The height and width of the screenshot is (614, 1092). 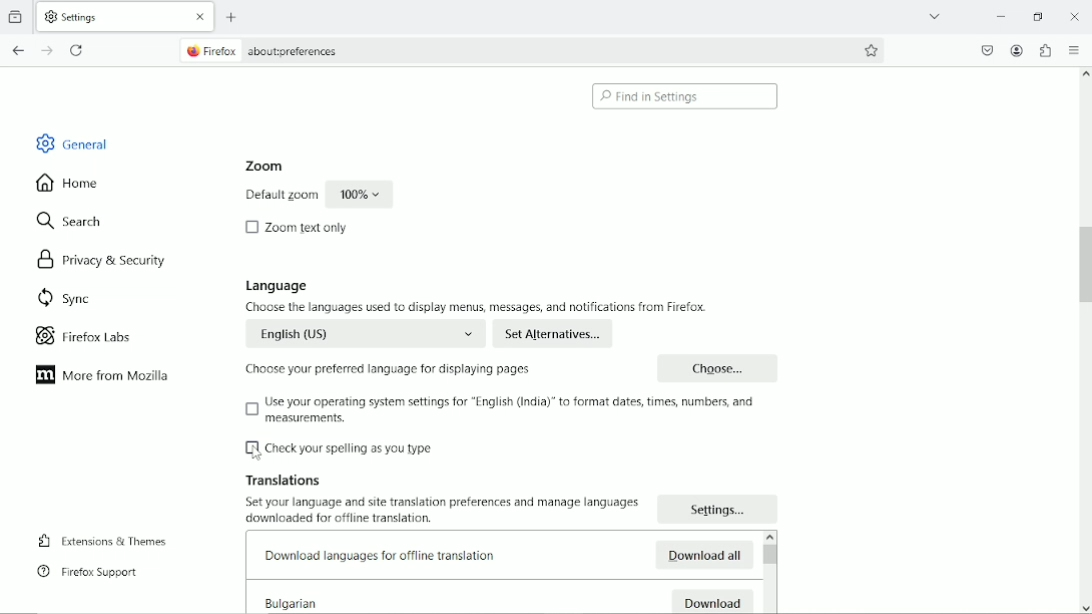 I want to click on Zoom text only, so click(x=301, y=230).